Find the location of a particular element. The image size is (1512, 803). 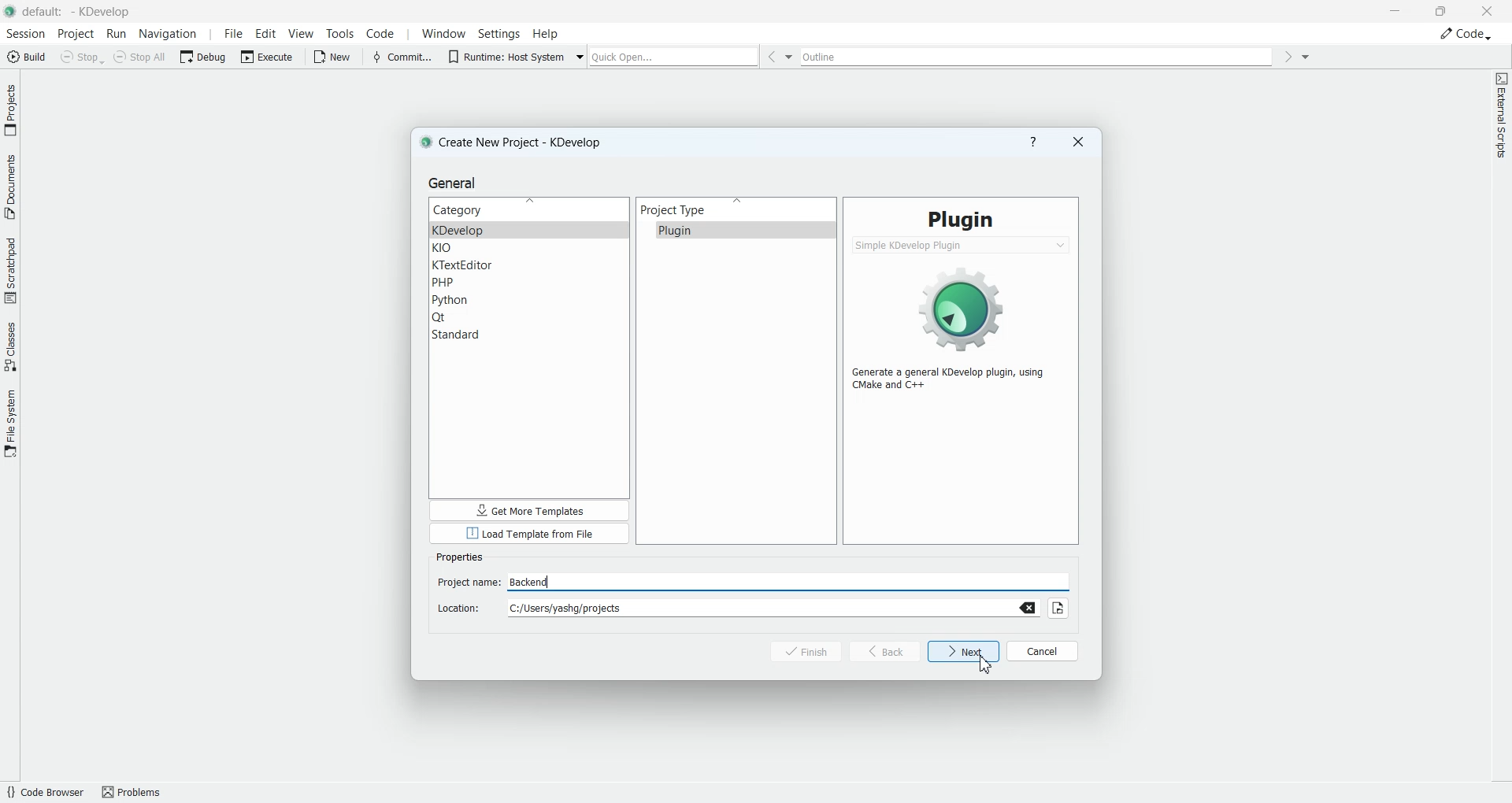

General setting is located at coordinates (455, 183).